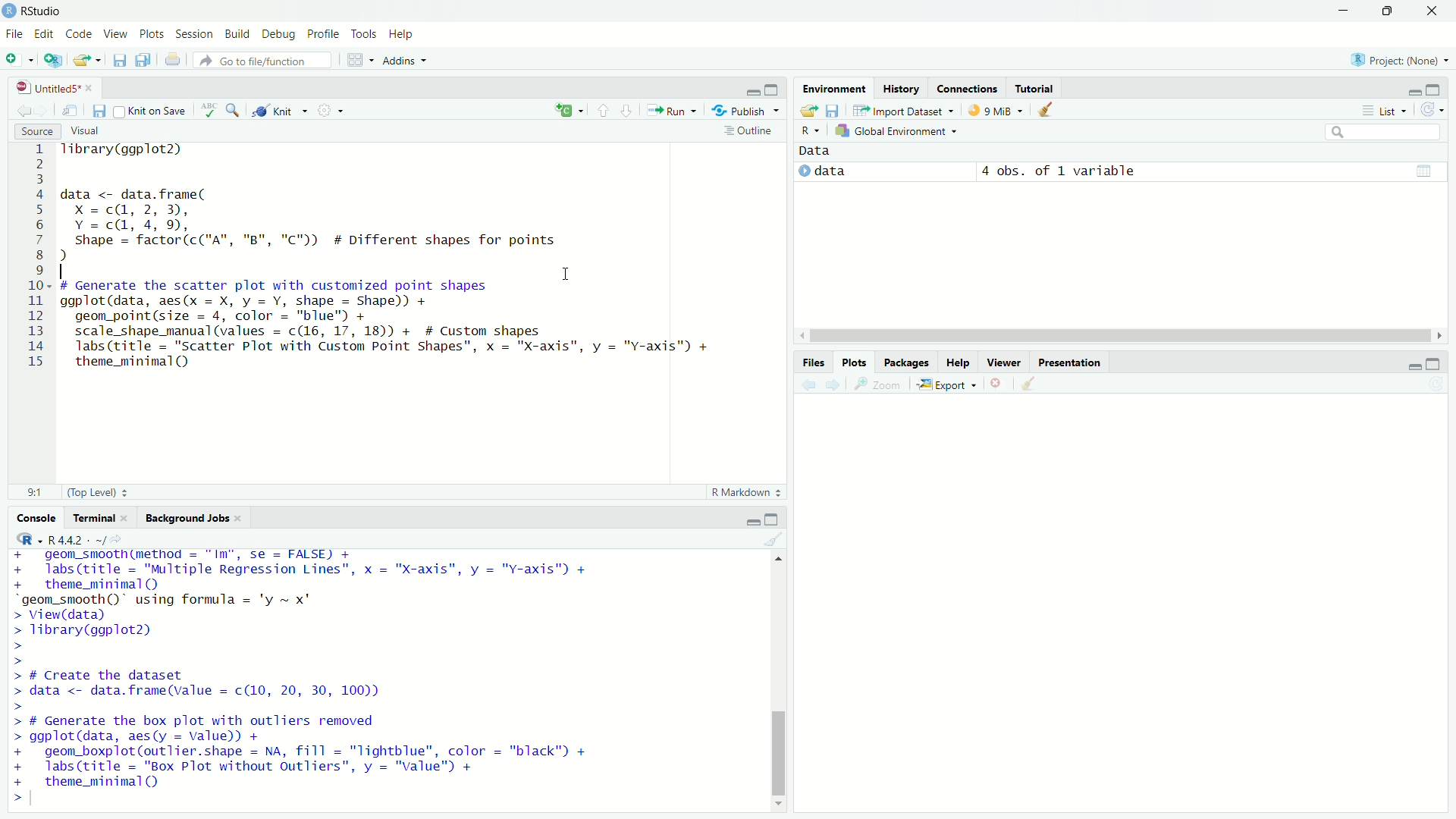 This screenshot has width=1456, height=819. I want to click on Go forward to next source location, so click(41, 111).